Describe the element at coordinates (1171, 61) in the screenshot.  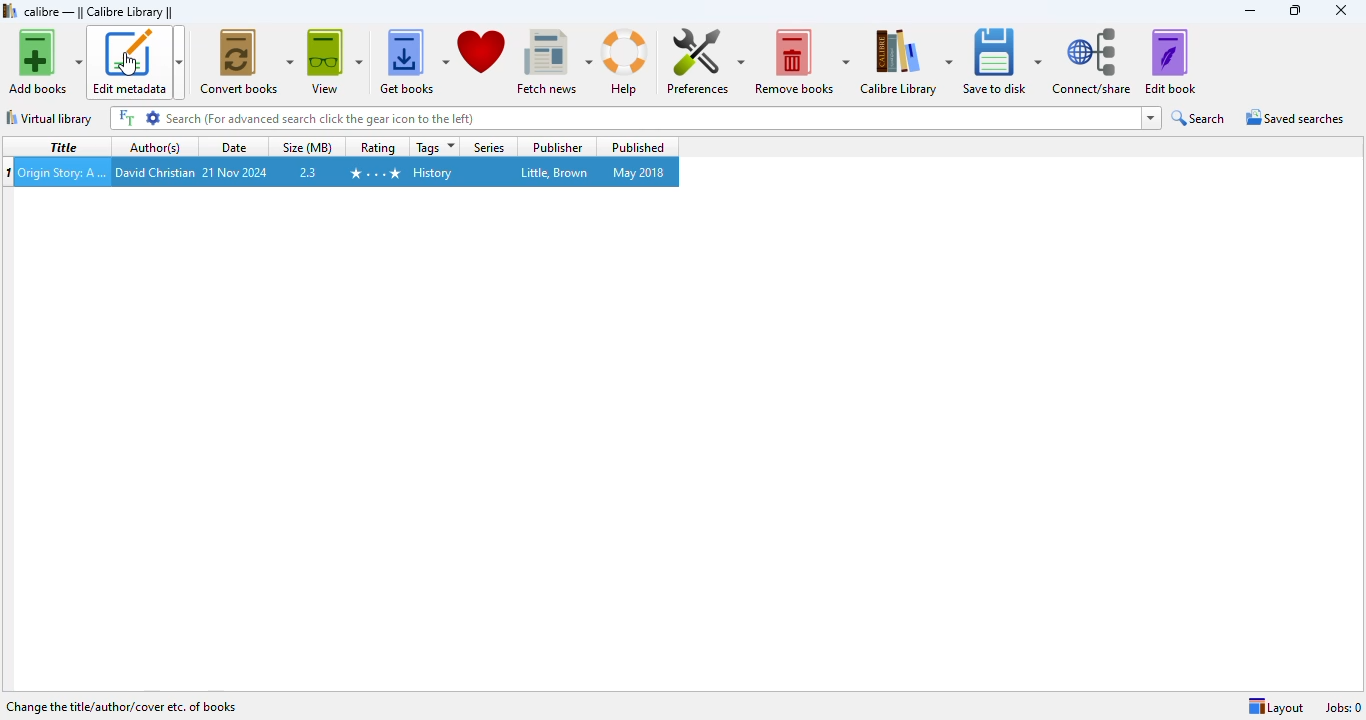
I see `edit book` at that location.